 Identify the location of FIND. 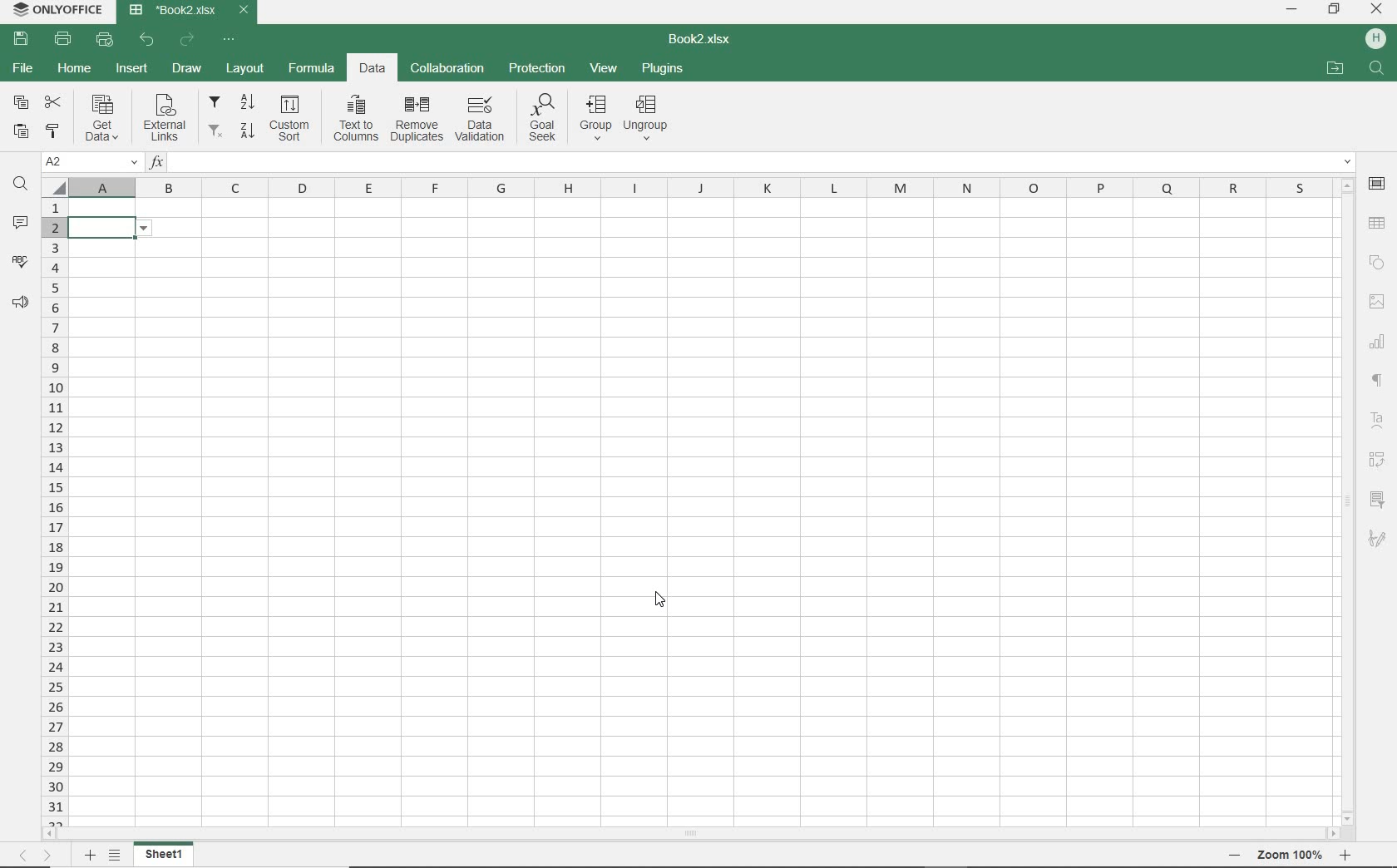
(1378, 70).